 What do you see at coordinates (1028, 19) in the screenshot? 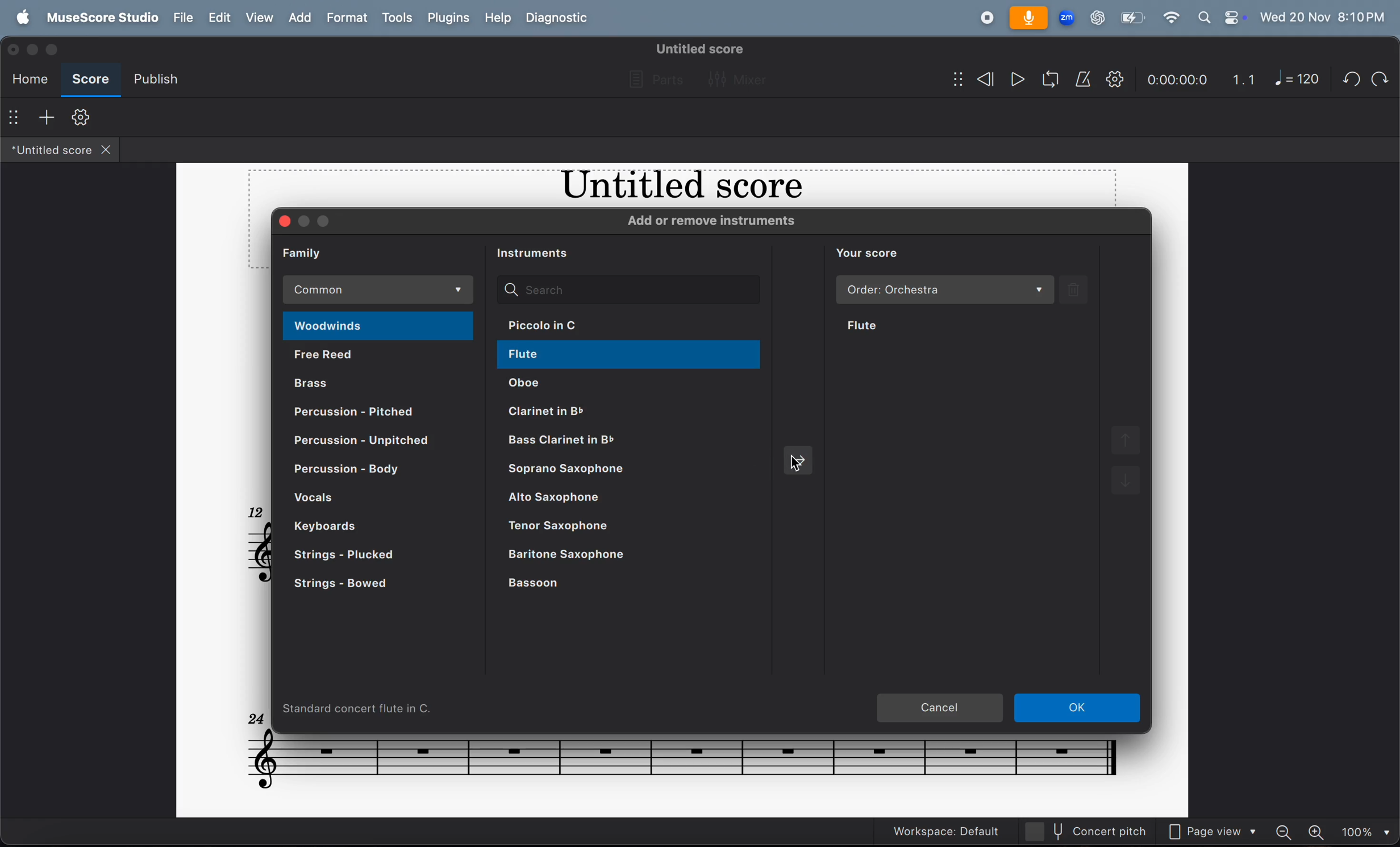
I see `microphone` at bounding box center [1028, 19].